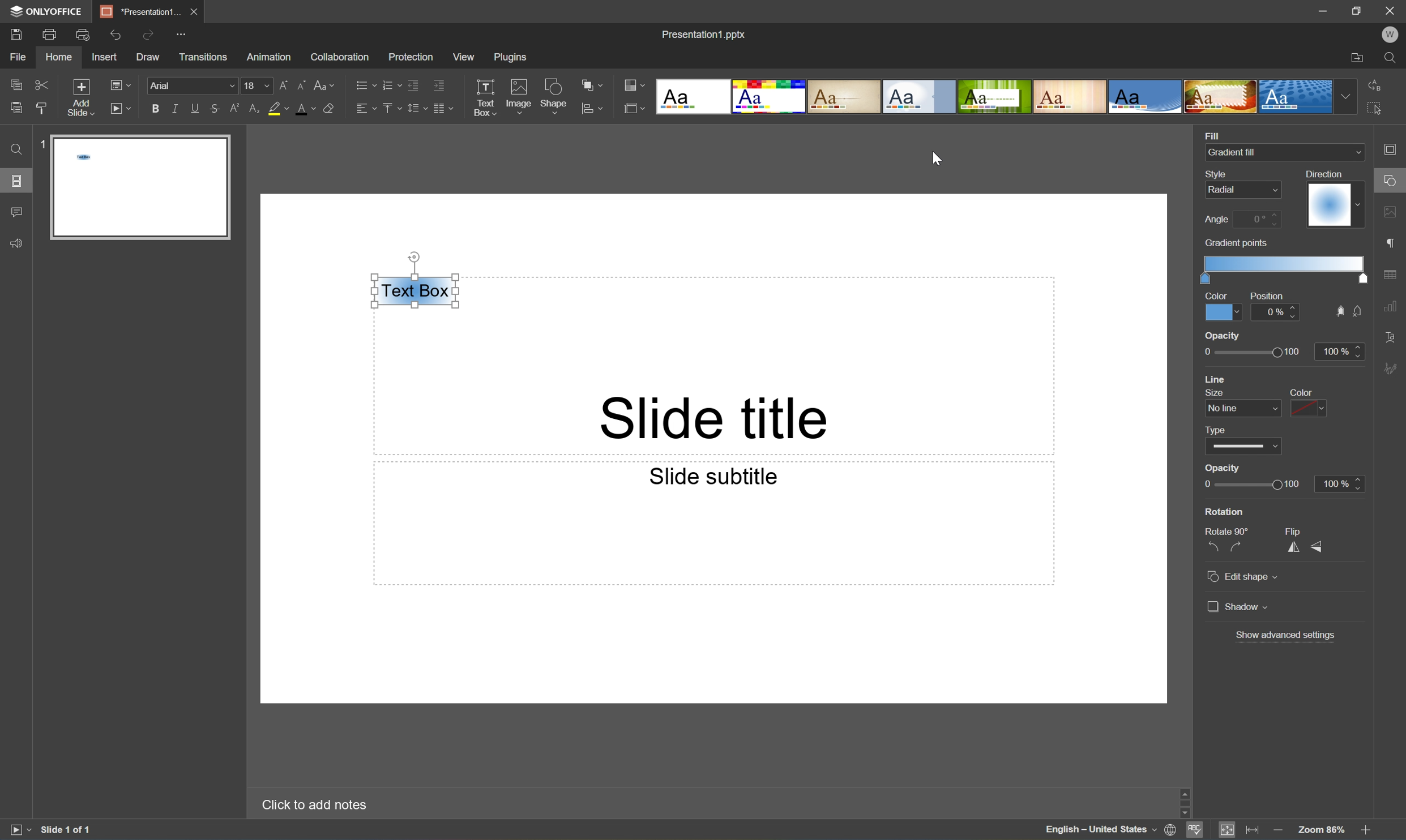 This screenshot has width=1406, height=840. Describe the element at coordinates (300, 85) in the screenshot. I see `Decrement font size` at that location.